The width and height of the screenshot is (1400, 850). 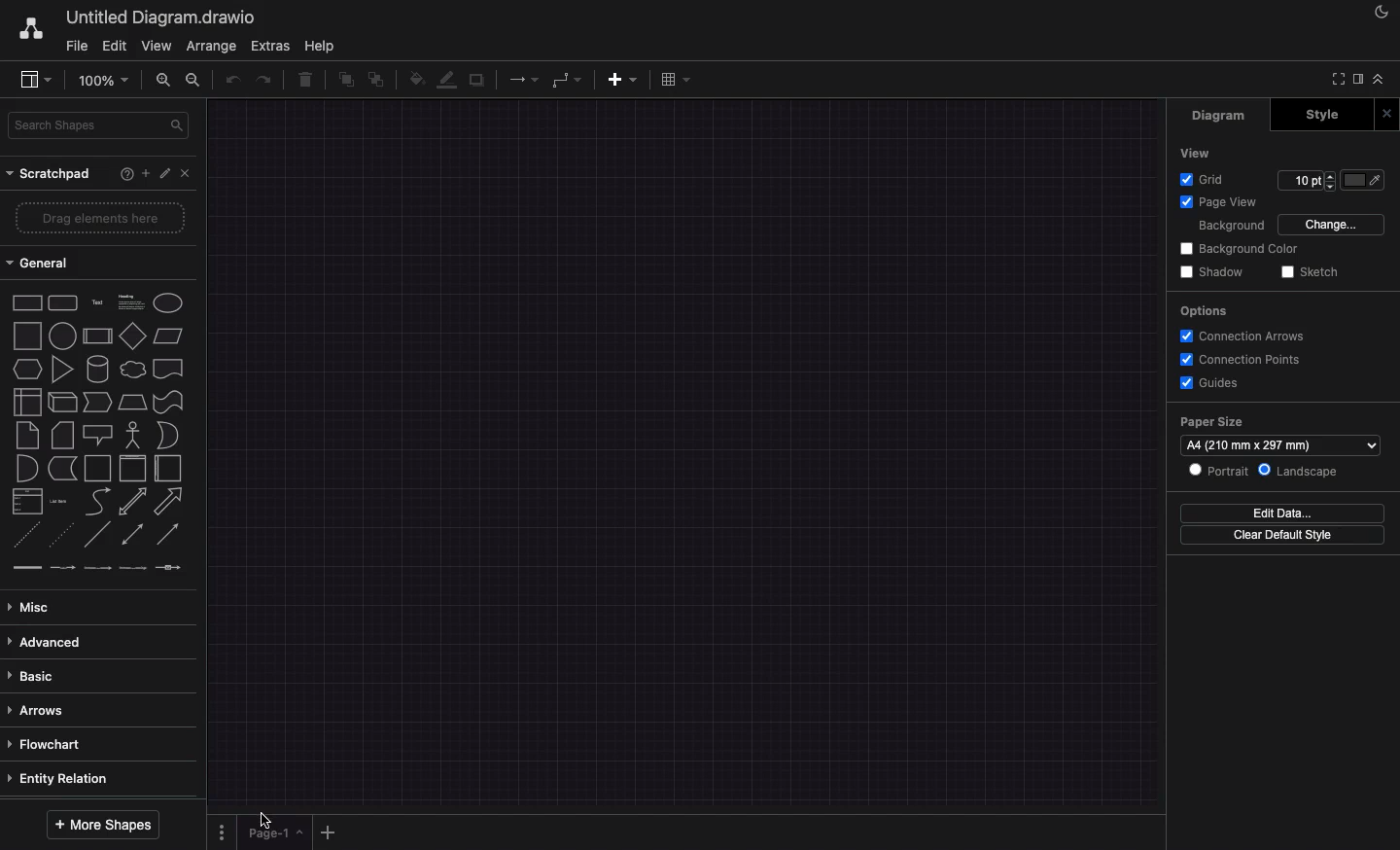 What do you see at coordinates (345, 80) in the screenshot?
I see `to front` at bounding box center [345, 80].